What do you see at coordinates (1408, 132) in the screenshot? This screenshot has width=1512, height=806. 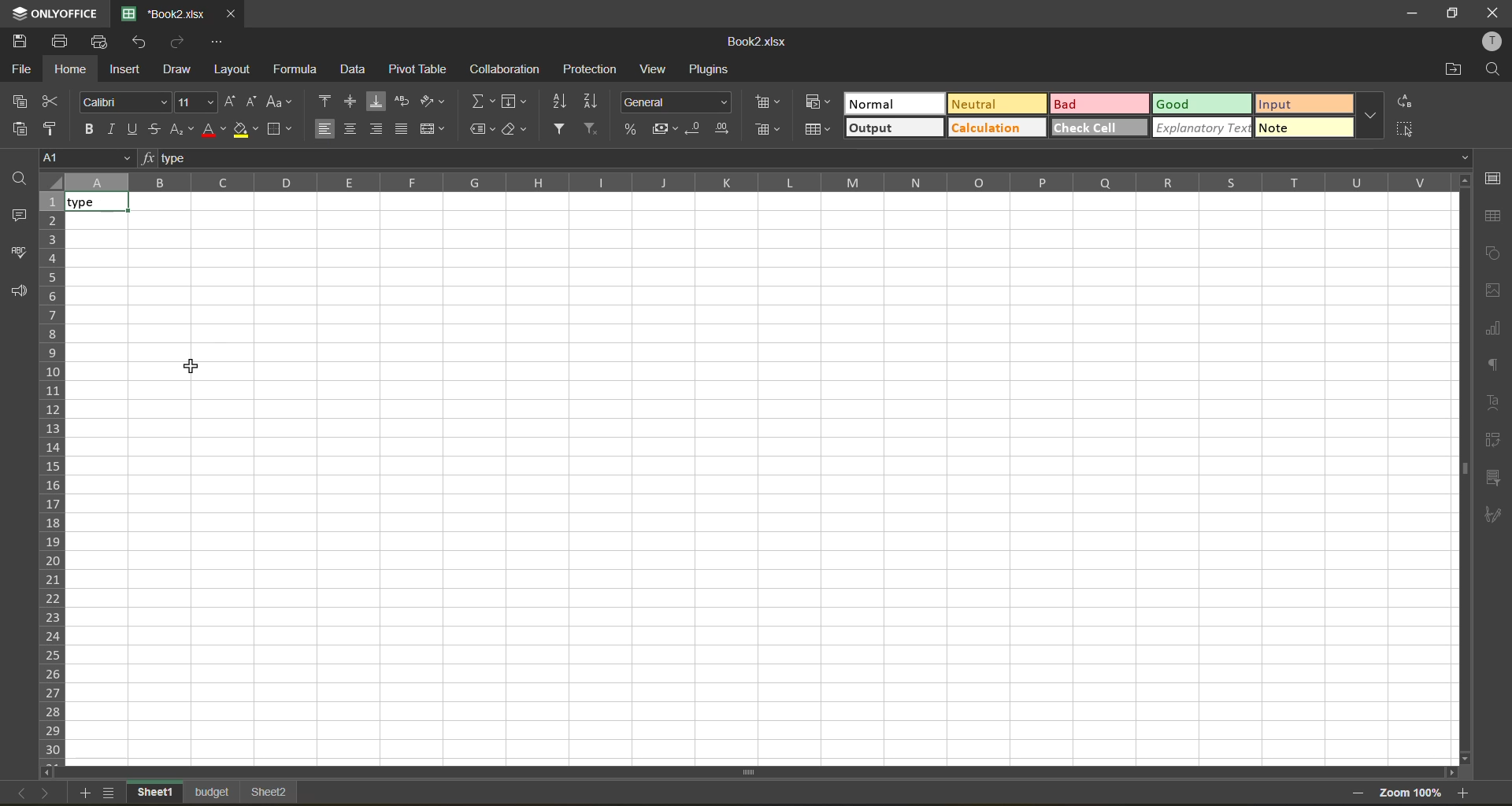 I see `select all` at bounding box center [1408, 132].